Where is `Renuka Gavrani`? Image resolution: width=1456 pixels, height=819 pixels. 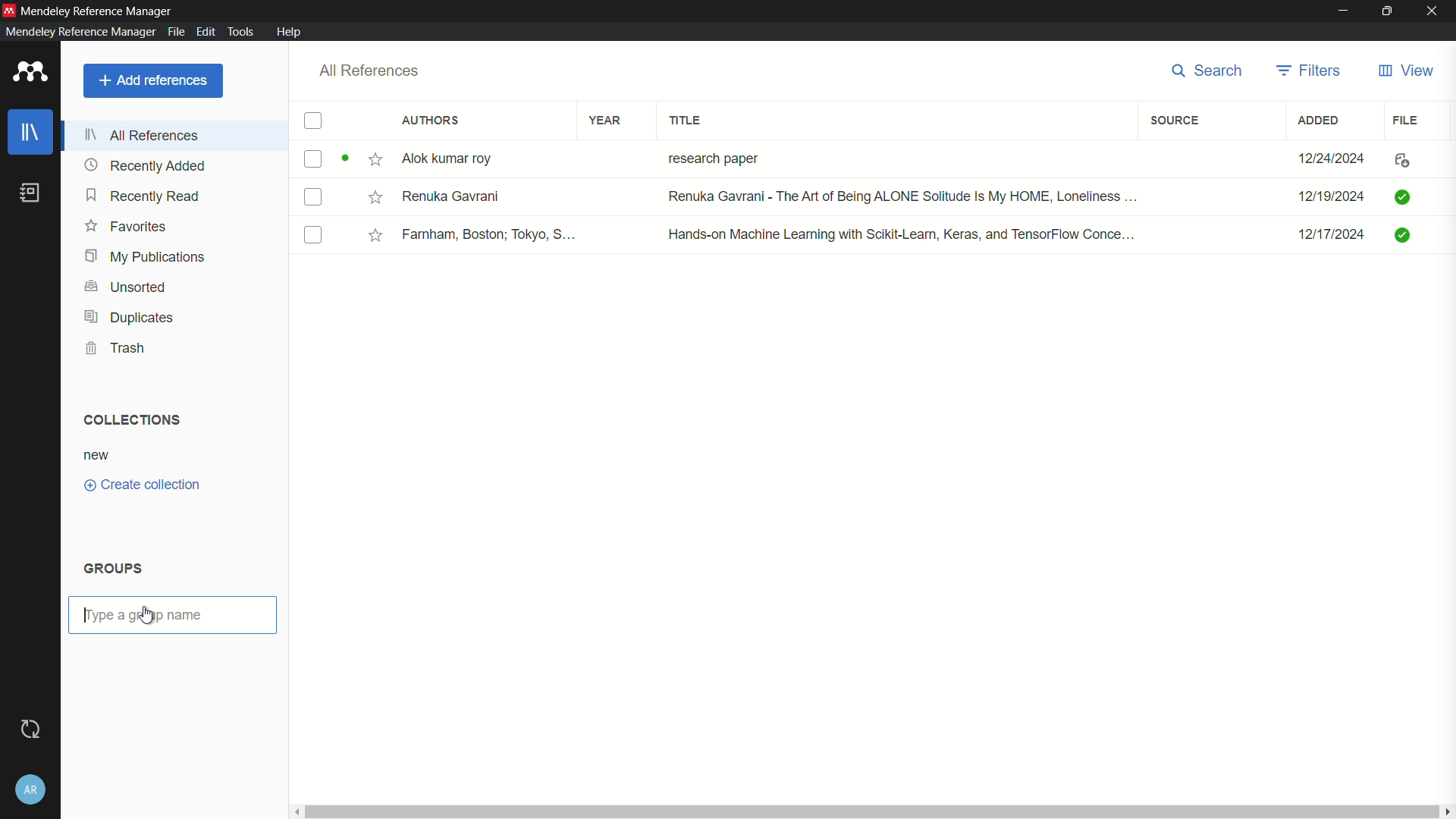
Renuka Gavrani is located at coordinates (451, 196).